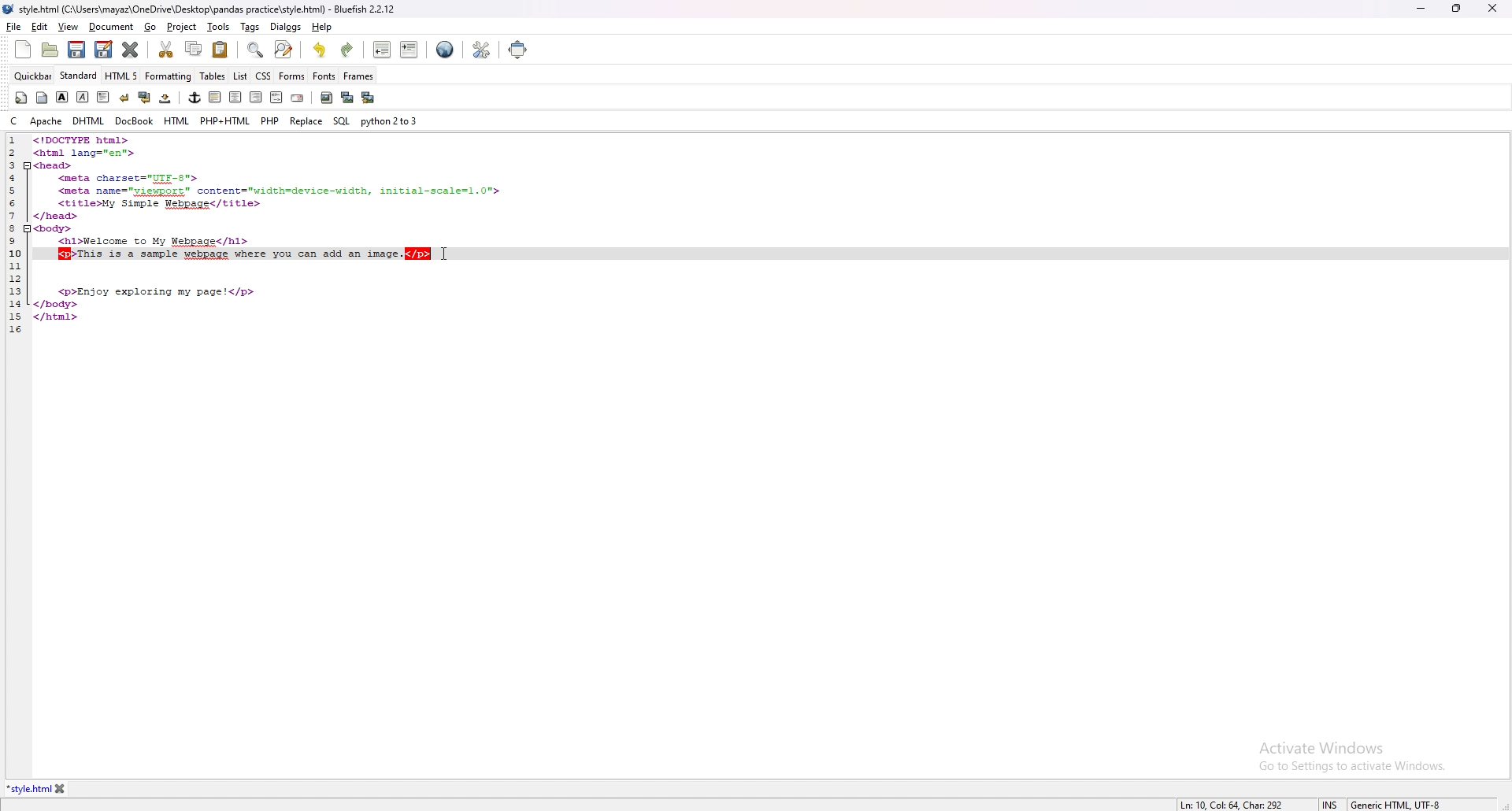 The image size is (1512, 811). What do you see at coordinates (77, 50) in the screenshot?
I see `save` at bounding box center [77, 50].